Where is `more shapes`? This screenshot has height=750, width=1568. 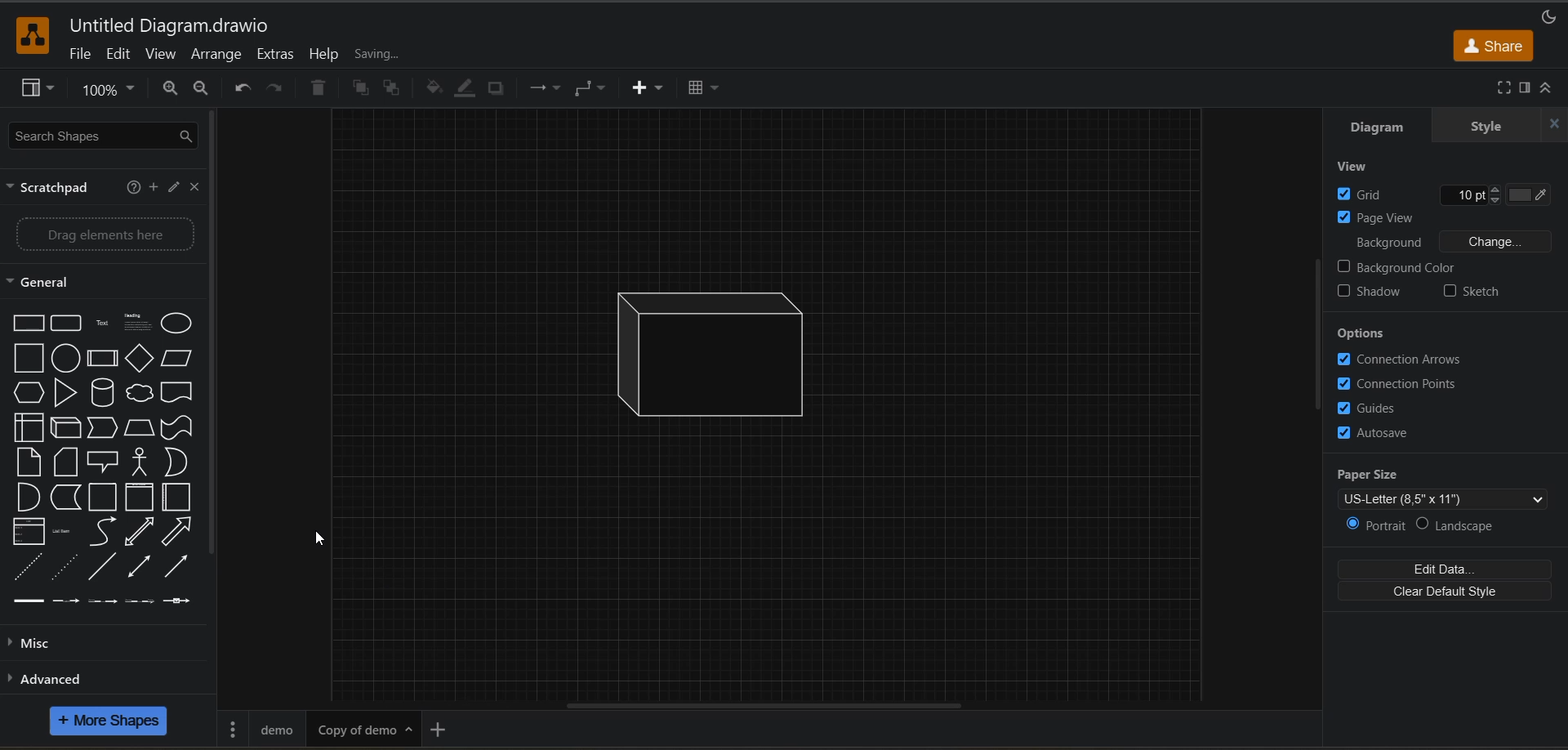
more shapes is located at coordinates (109, 721).